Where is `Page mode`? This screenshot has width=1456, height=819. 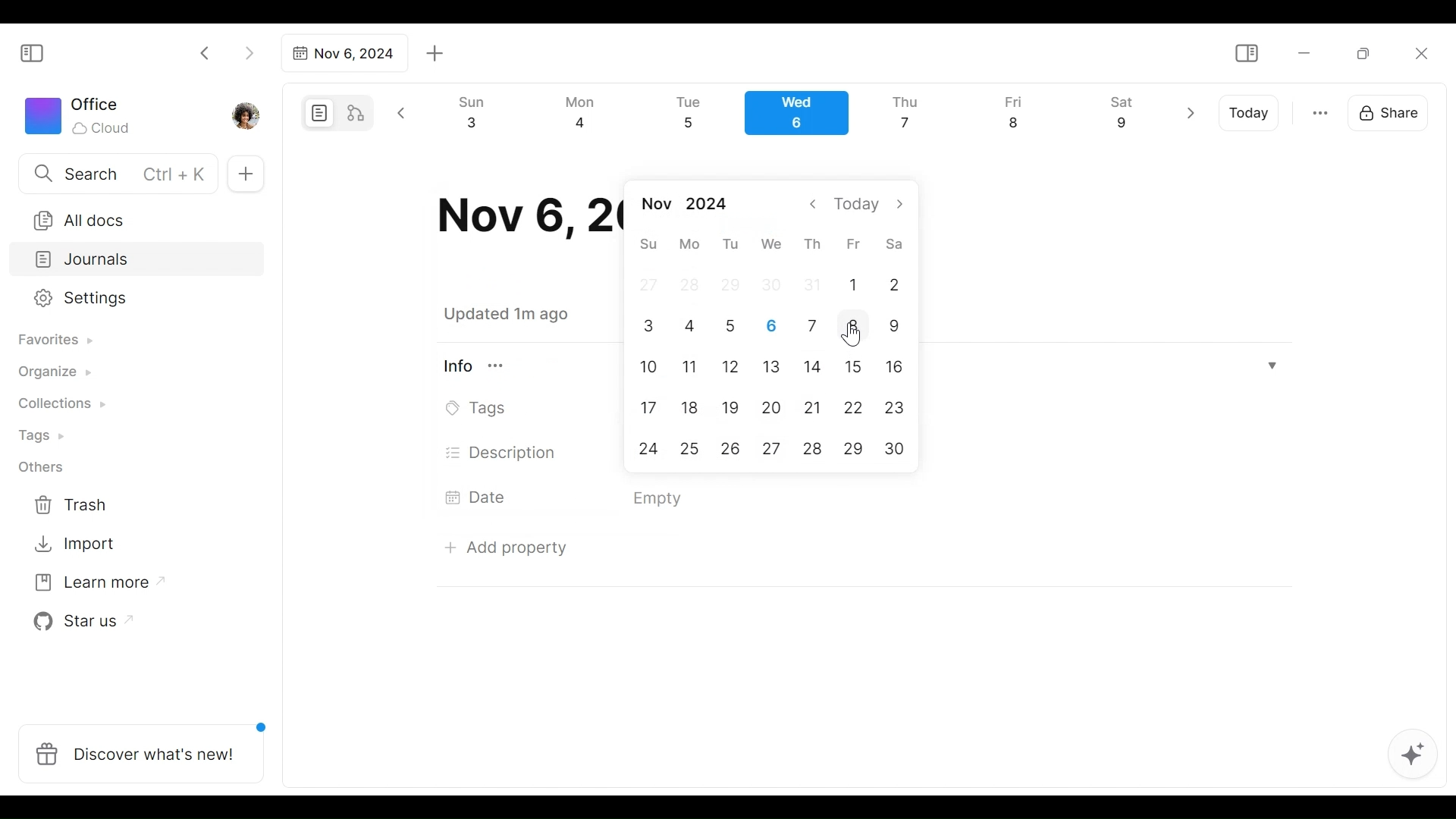 Page mode is located at coordinates (317, 113).